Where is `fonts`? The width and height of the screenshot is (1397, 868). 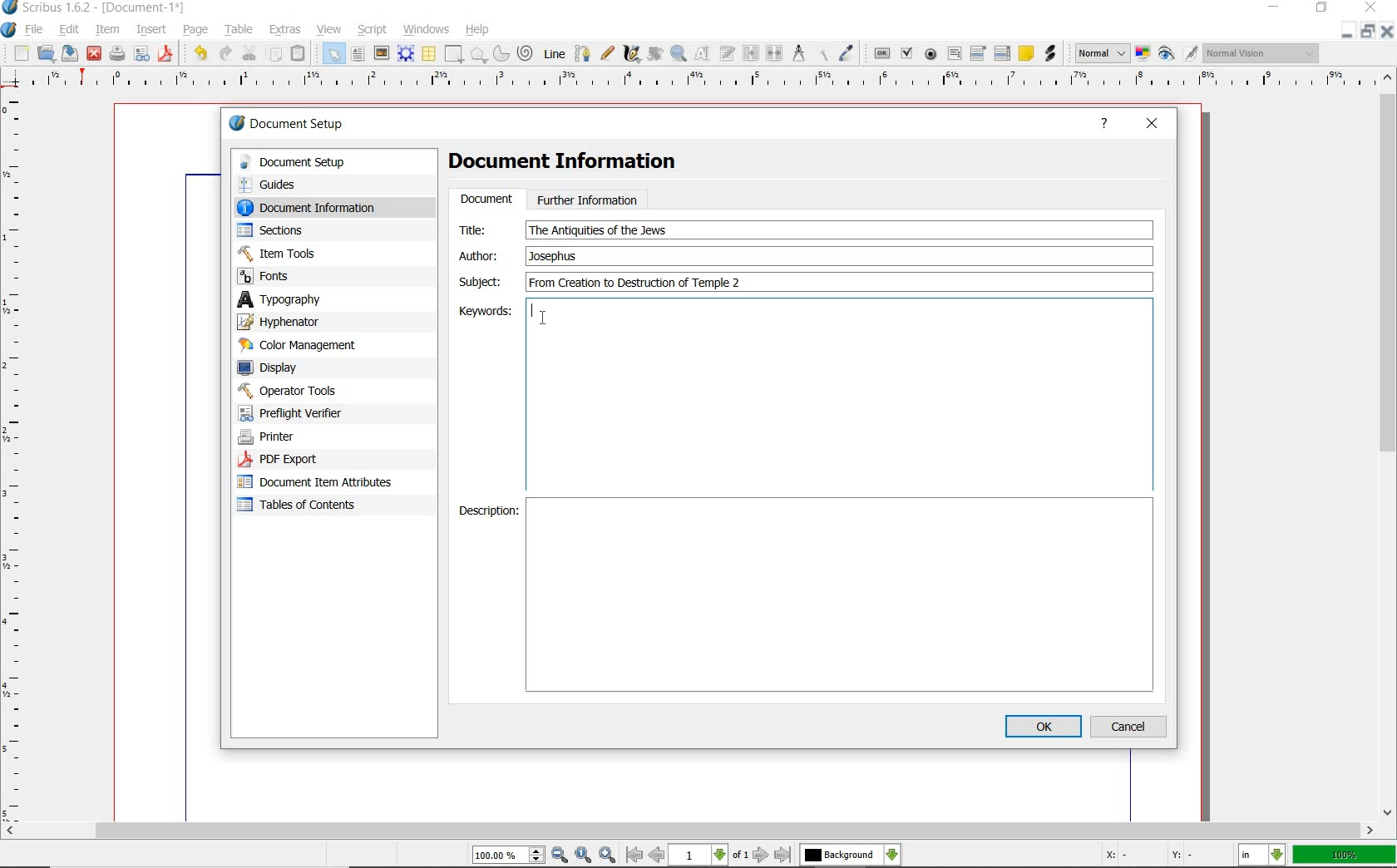
fonts is located at coordinates (315, 277).